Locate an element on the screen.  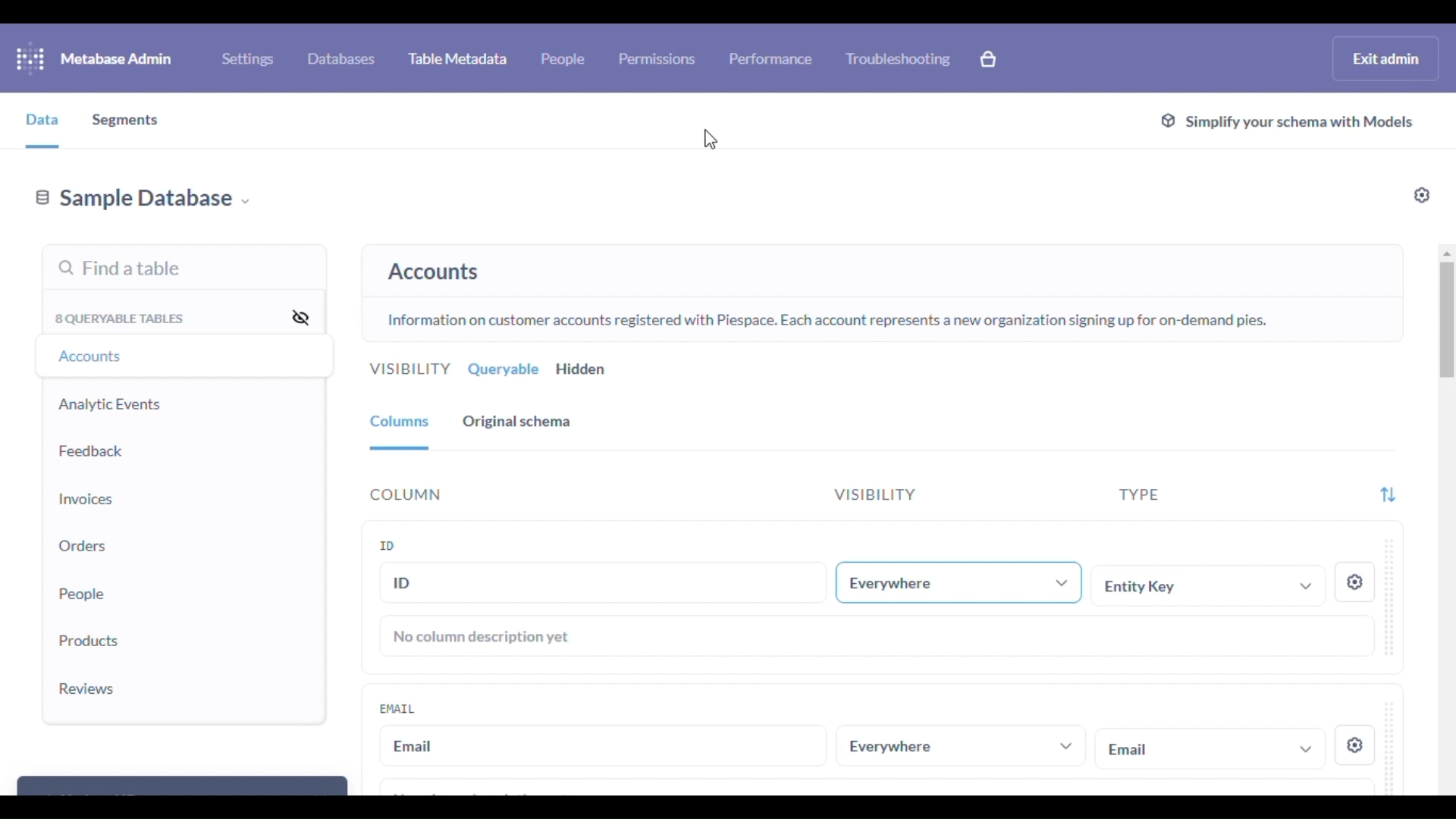
cursor is located at coordinates (714, 138).